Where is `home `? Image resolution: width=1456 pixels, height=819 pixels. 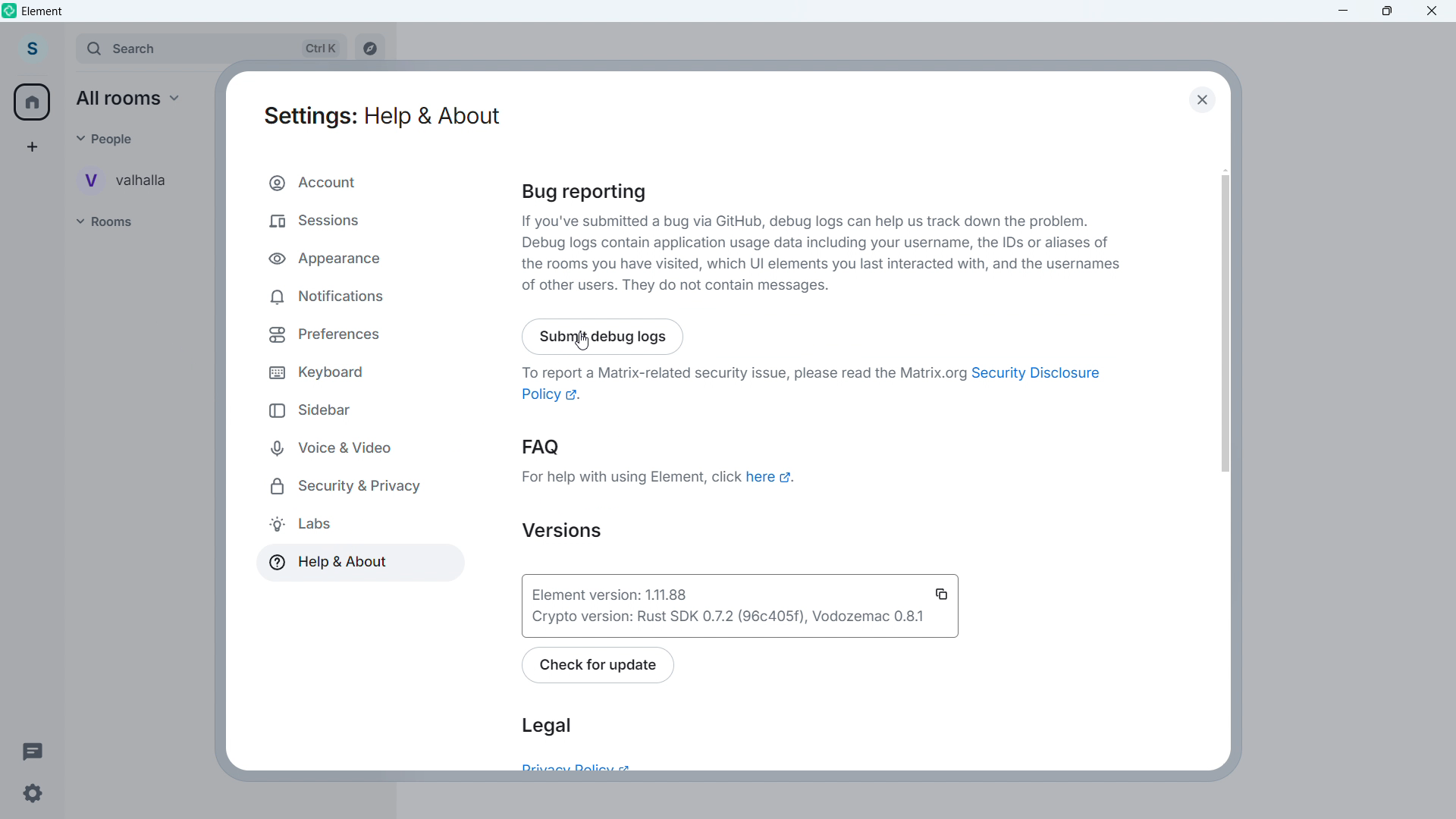 home  is located at coordinates (33, 102).